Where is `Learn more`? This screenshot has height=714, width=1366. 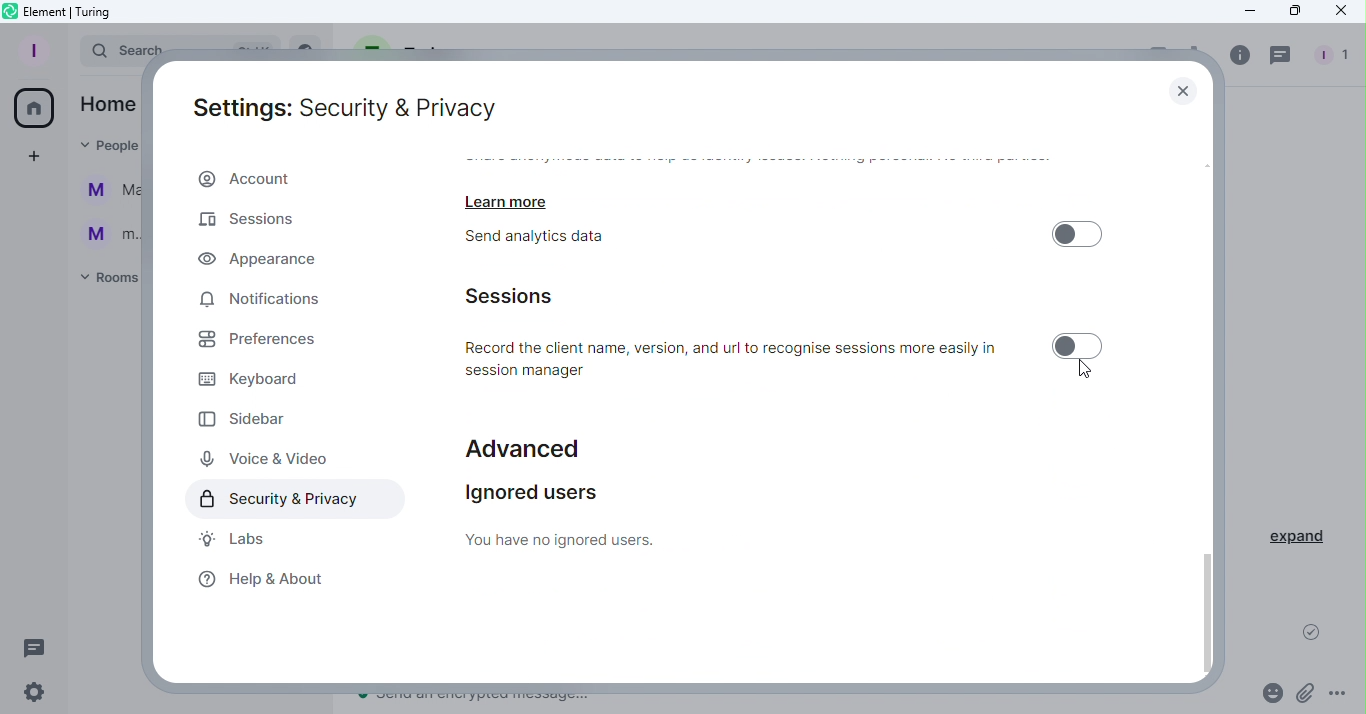 Learn more is located at coordinates (514, 197).